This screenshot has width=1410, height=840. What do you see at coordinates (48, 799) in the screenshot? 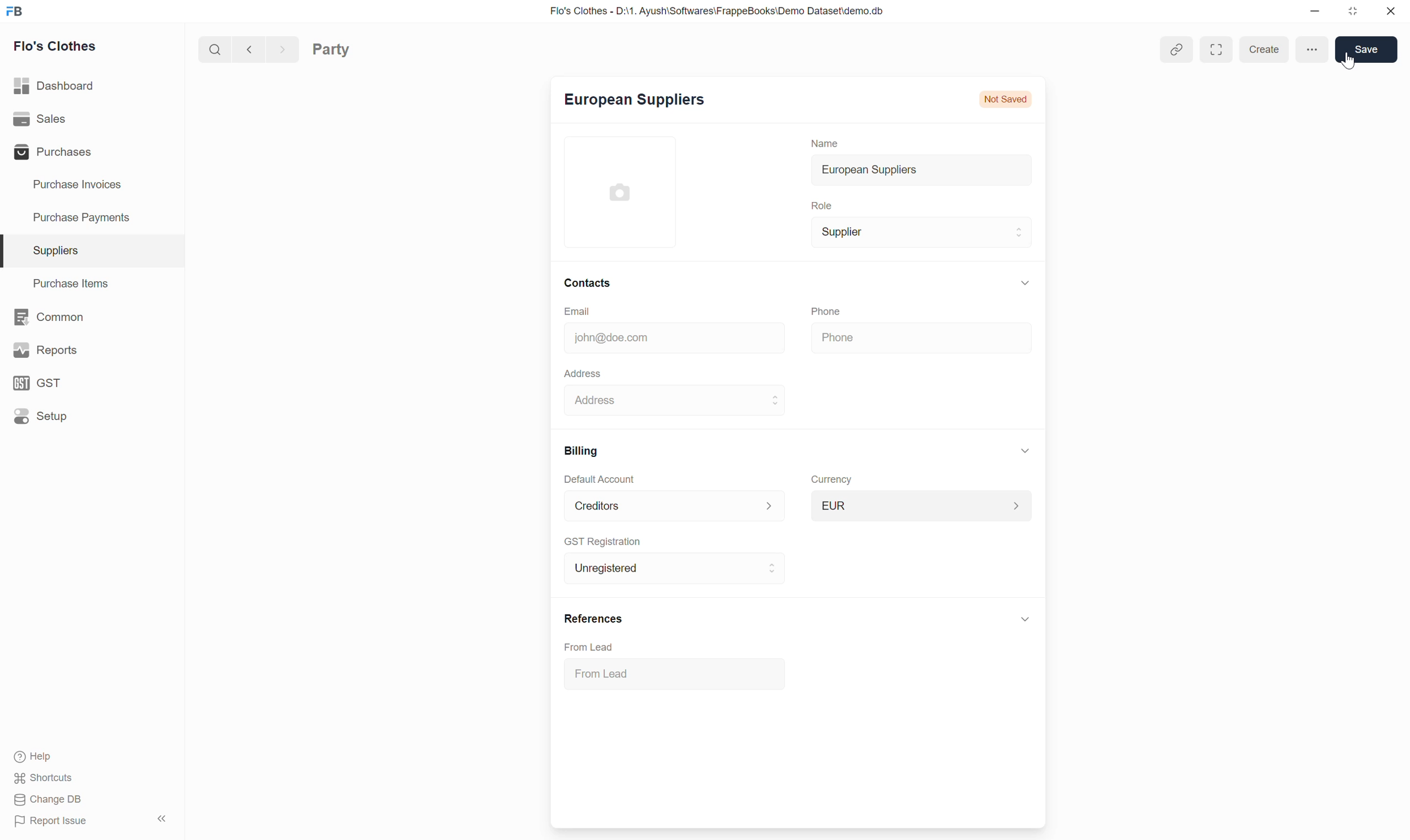
I see `change DB` at bounding box center [48, 799].